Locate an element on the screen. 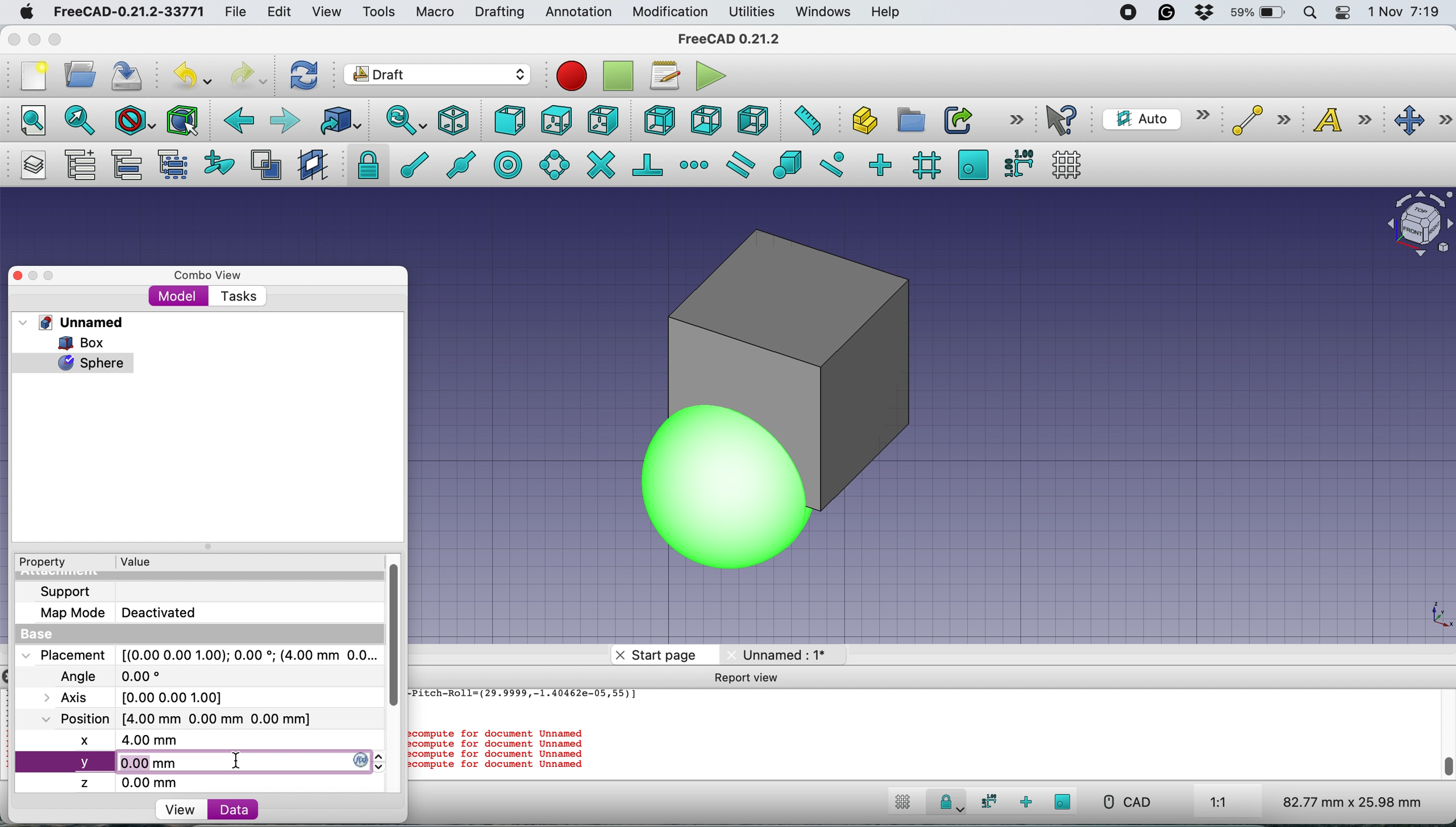 The image size is (1456, 827). snap intersection is located at coordinates (600, 164).